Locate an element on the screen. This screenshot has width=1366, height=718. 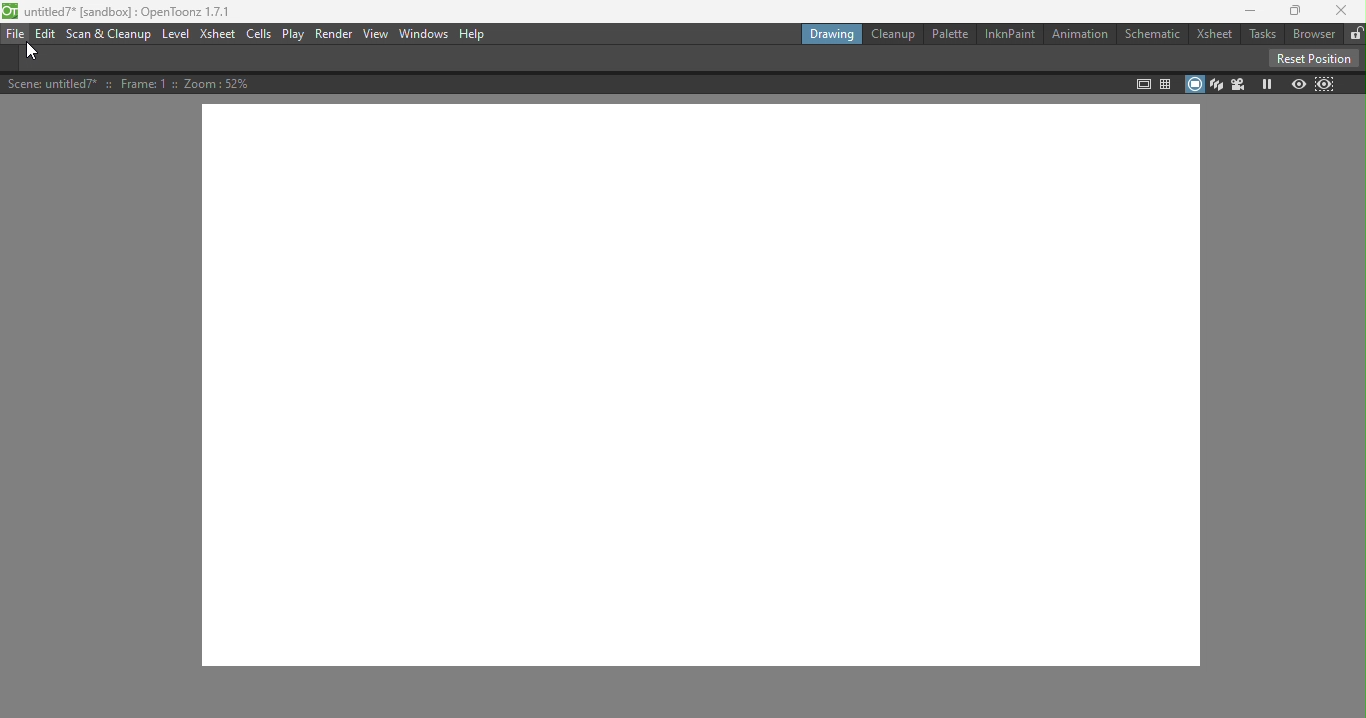
logo is located at coordinates (11, 12).